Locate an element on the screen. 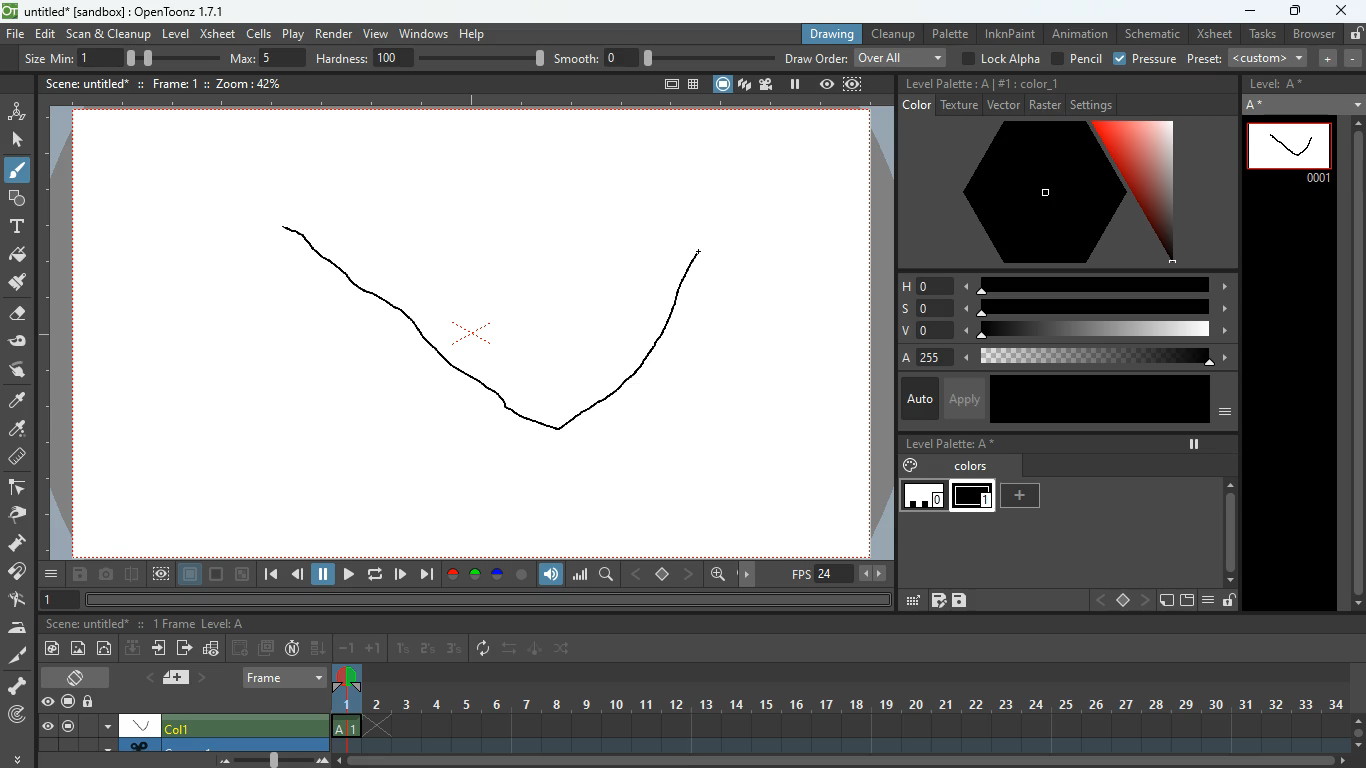  down is located at coordinates (133, 647).